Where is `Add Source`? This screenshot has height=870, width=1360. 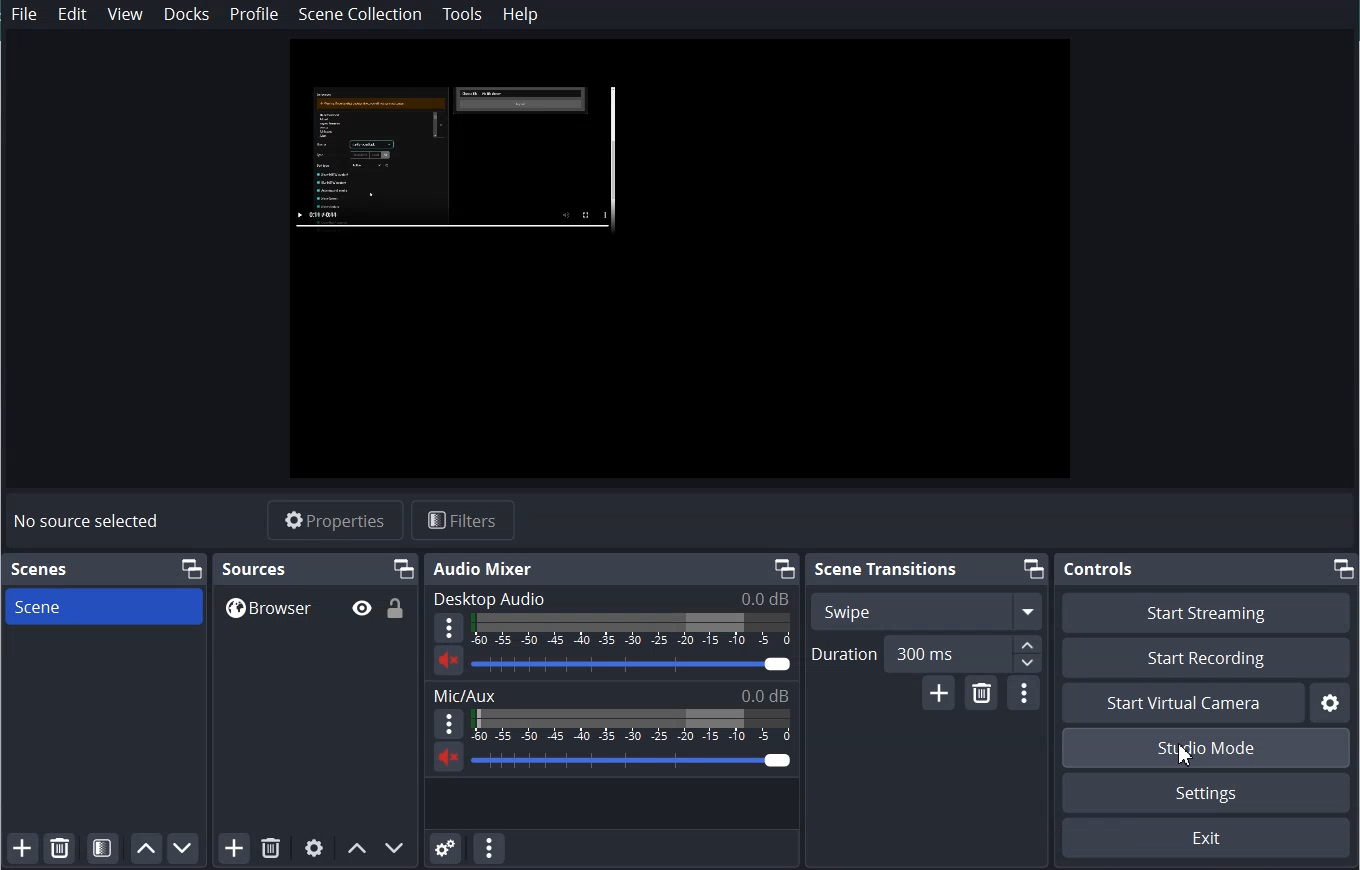 Add Source is located at coordinates (233, 848).